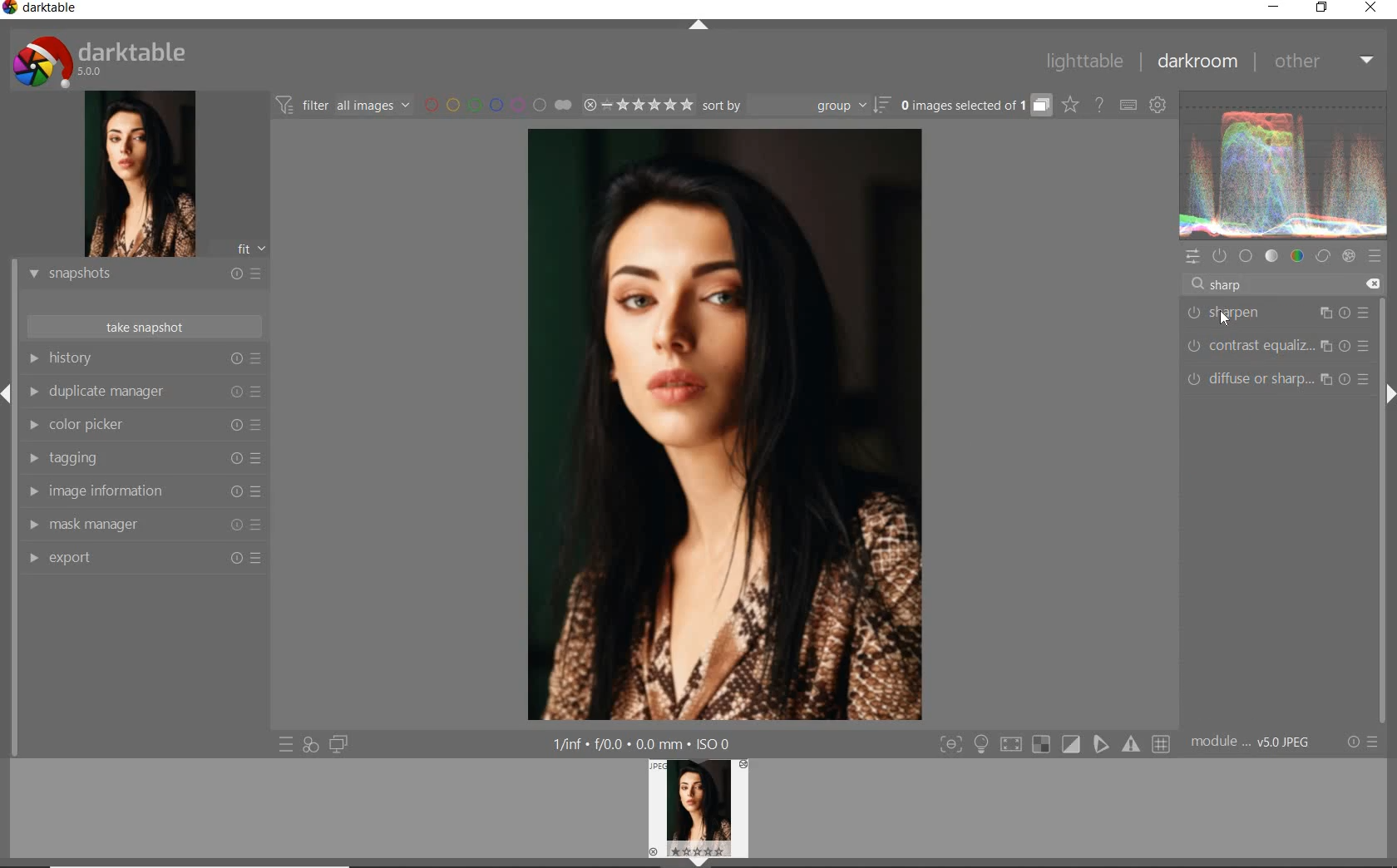  I want to click on filter images by color labels, so click(482, 106).